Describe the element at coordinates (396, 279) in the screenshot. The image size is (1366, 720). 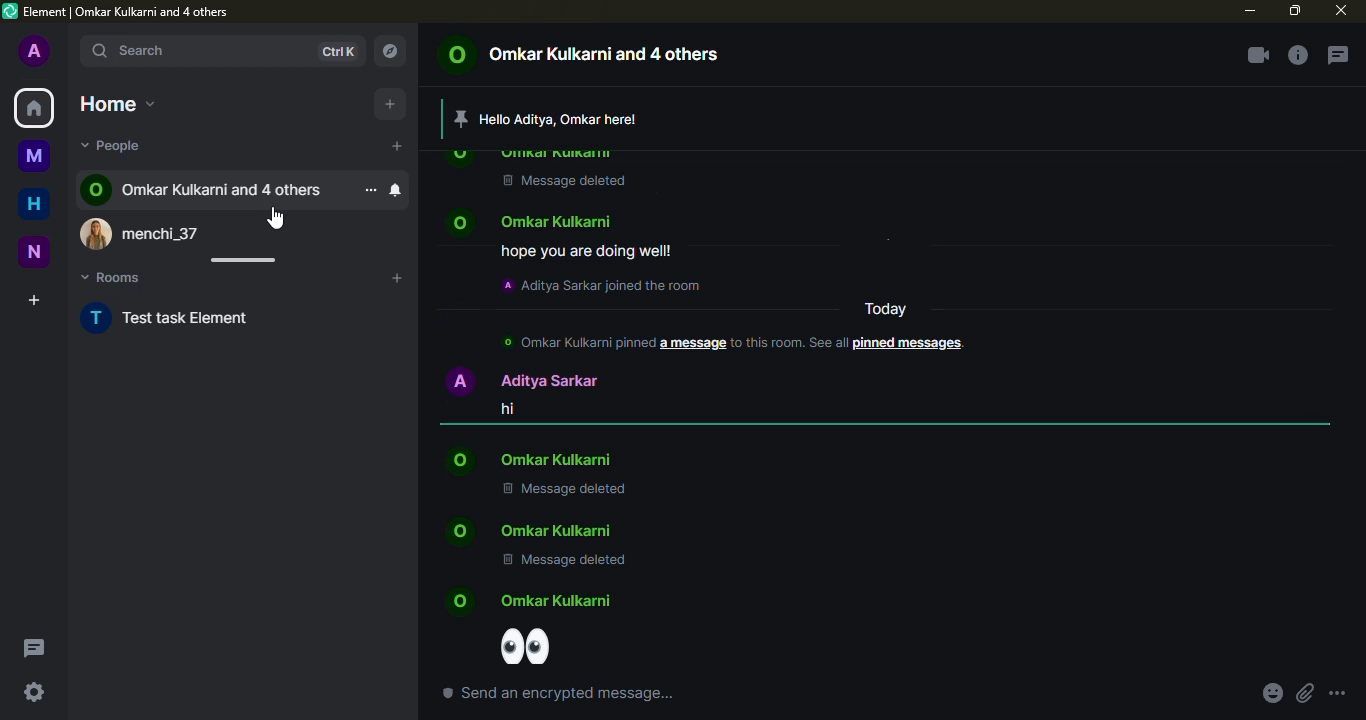
I see `add` at that location.